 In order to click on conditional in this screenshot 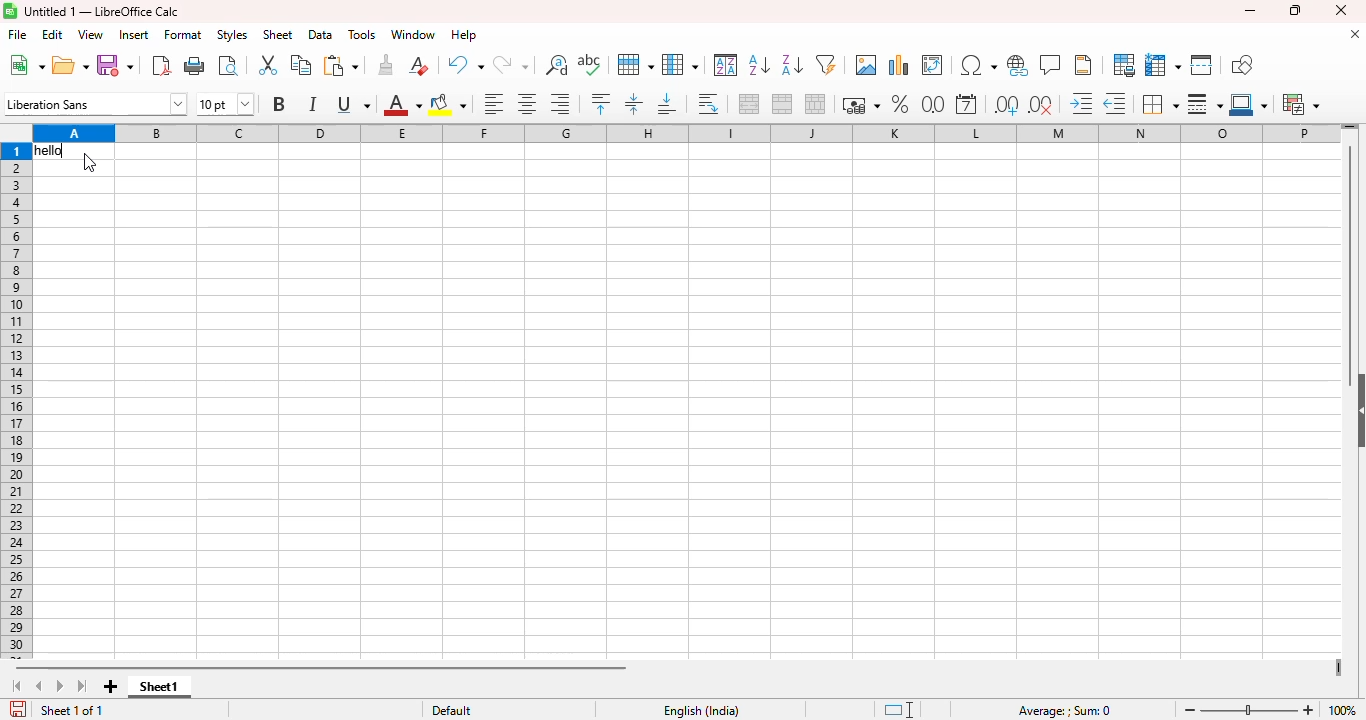, I will do `click(1301, 105)`.